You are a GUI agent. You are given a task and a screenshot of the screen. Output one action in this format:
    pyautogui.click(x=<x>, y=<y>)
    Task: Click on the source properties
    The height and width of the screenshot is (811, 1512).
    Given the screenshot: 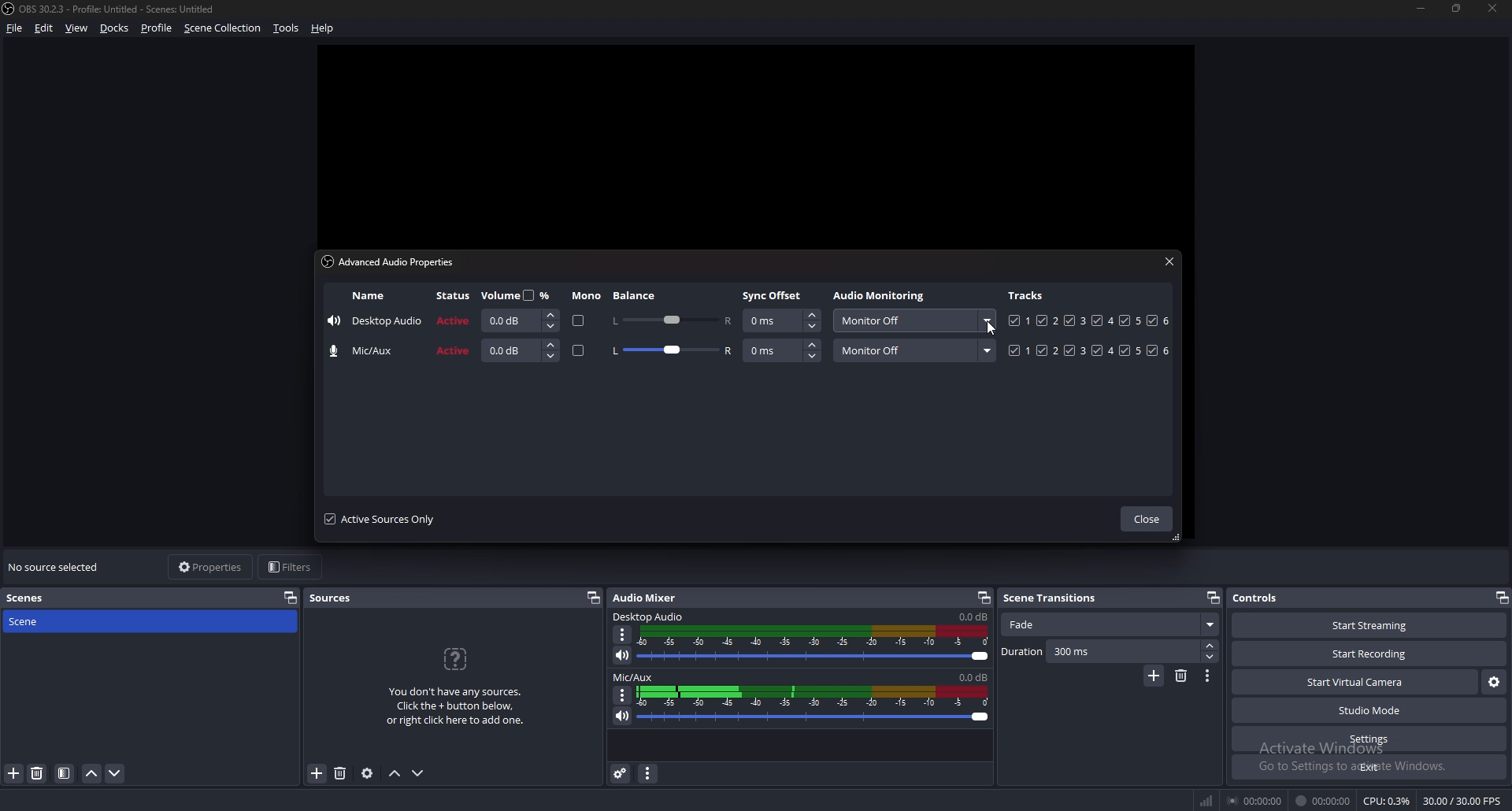 What is the action you would take?
    pyautogui.click(x=366, y=774)
    